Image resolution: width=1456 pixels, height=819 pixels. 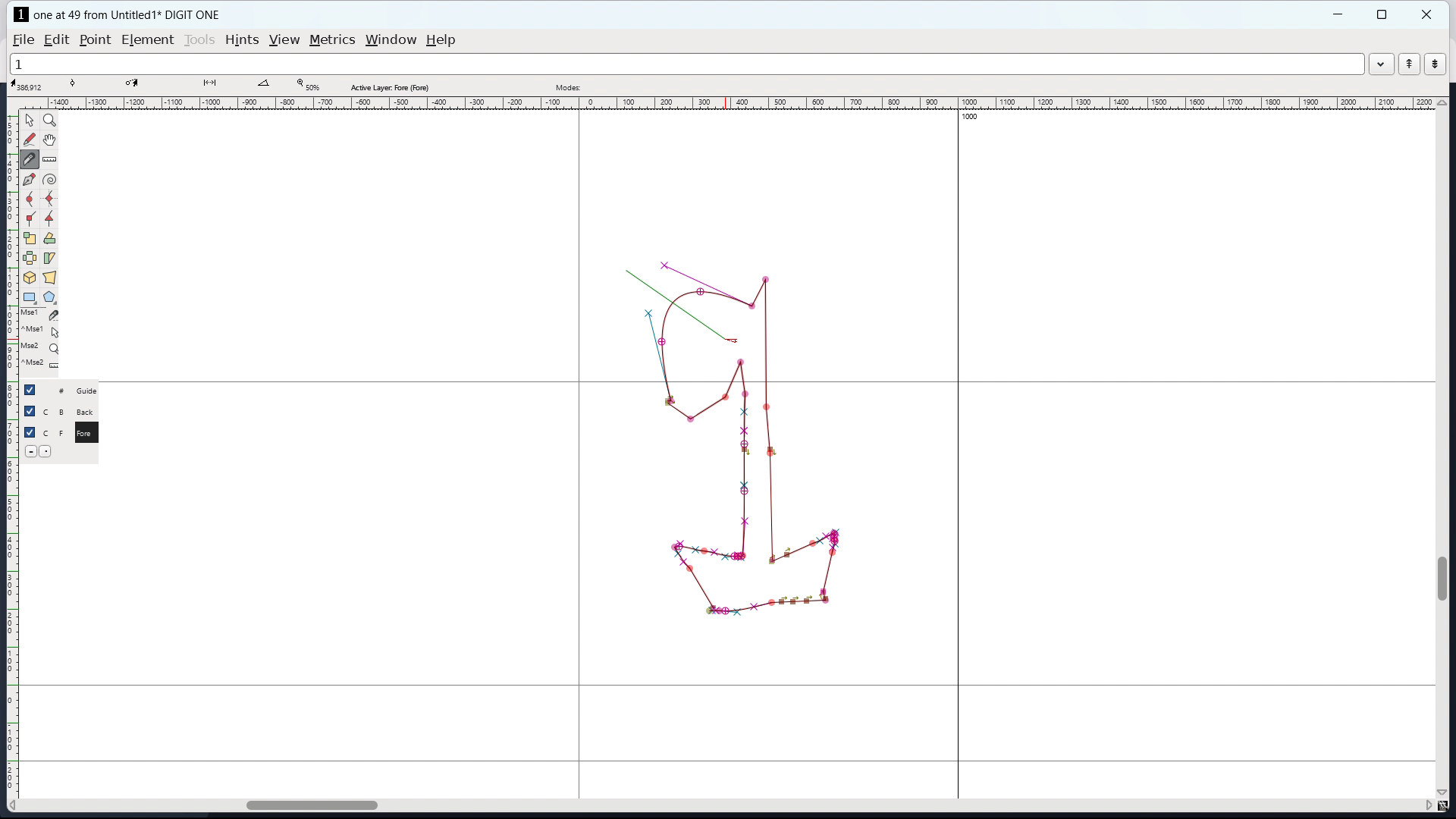 What do you see at coordinates (24, 40) in the screenshot?
I see `file` at bounding box center [24, 40].